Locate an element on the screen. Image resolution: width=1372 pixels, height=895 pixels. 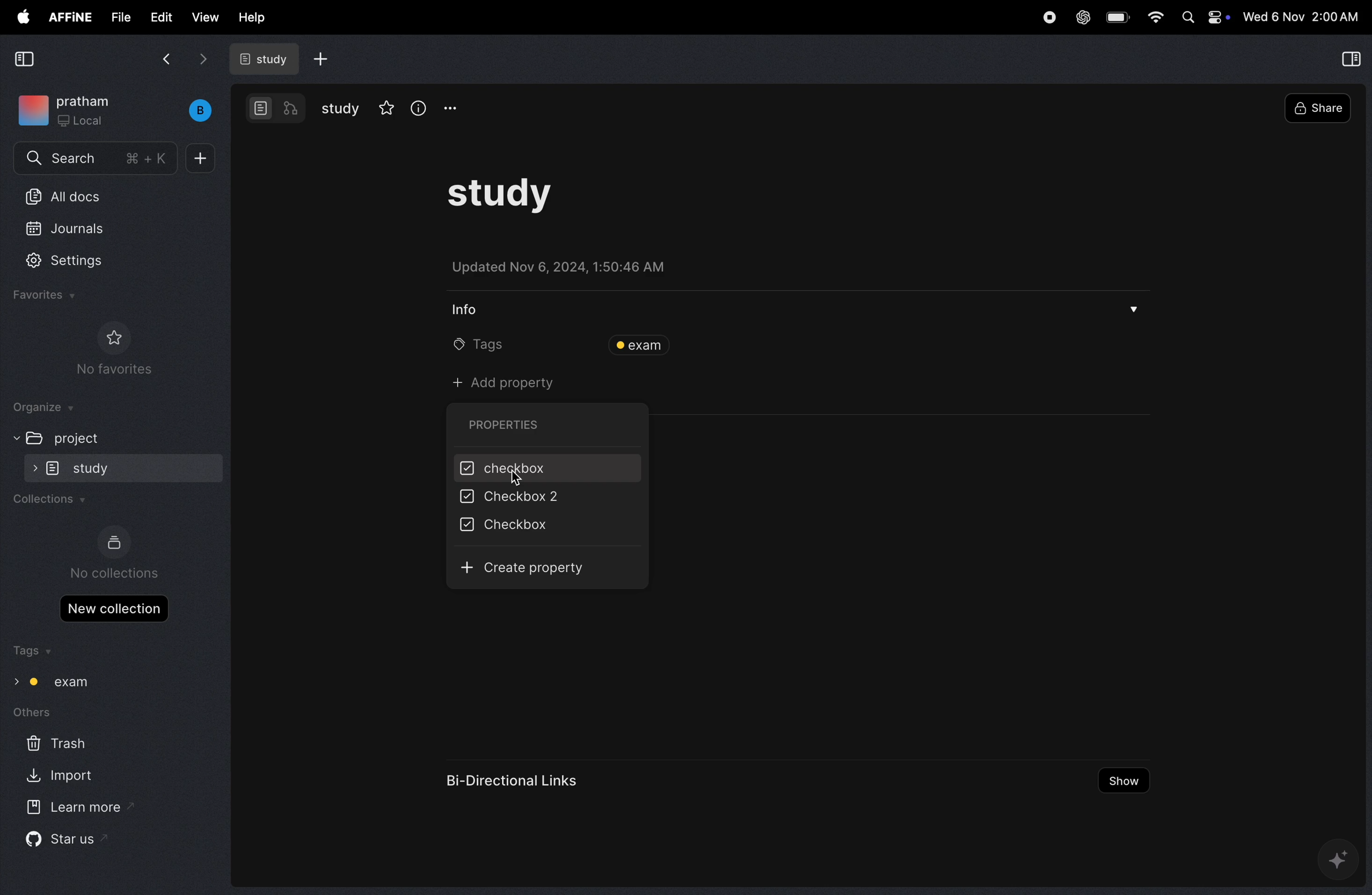
options is located at coordinates (448, 108).